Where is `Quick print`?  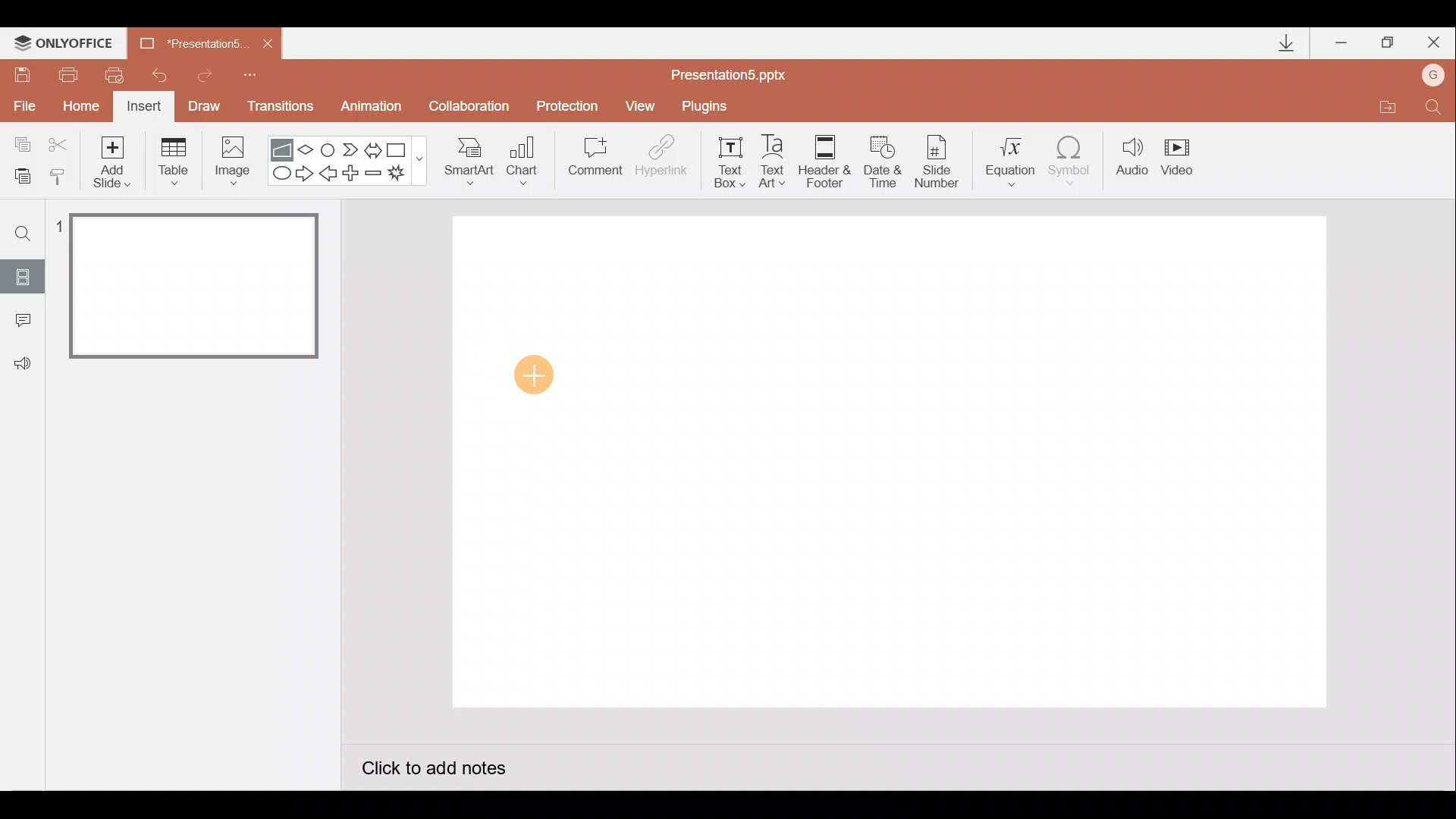 Quick print is located at coordinates (120, 71).